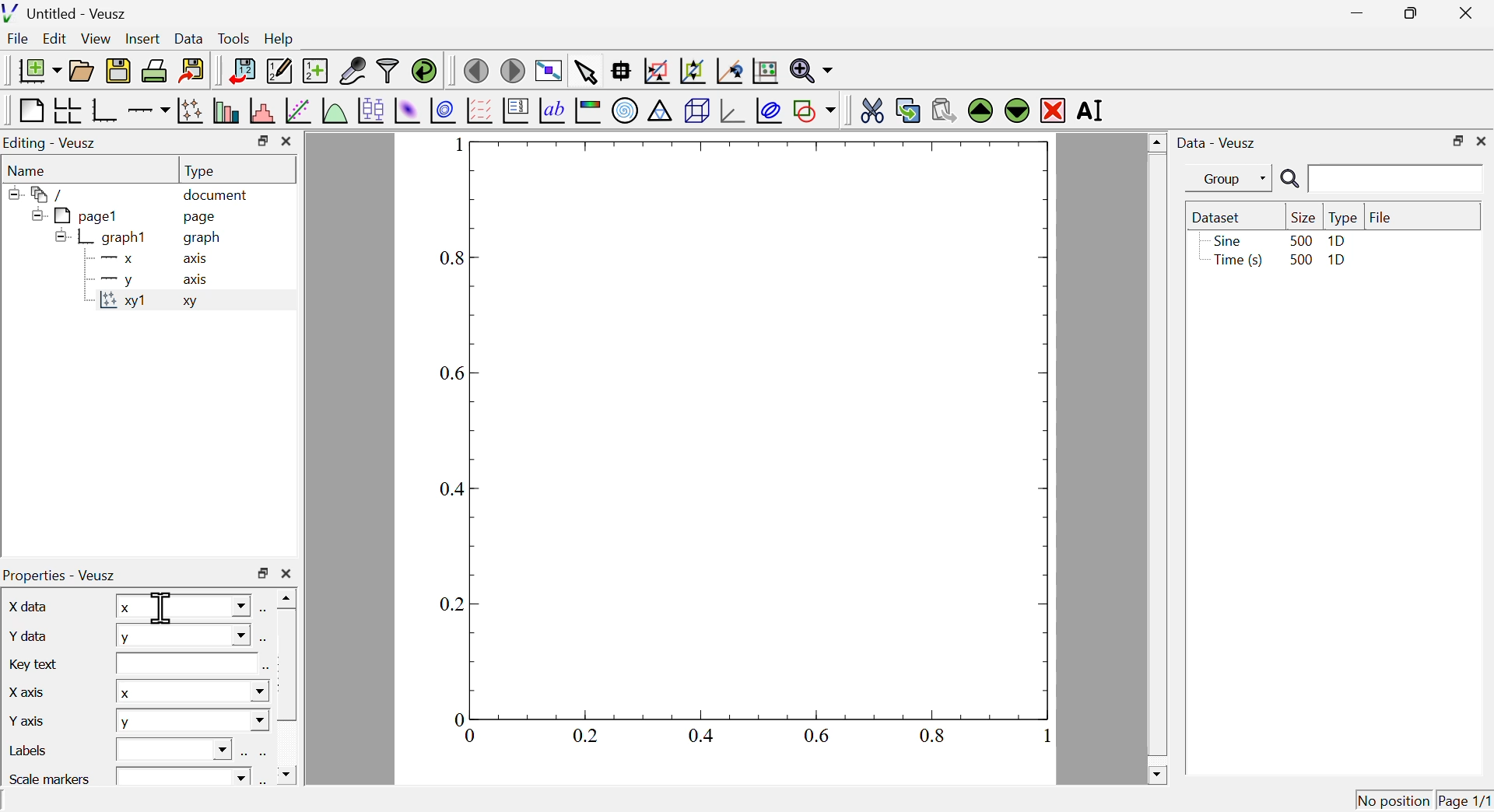 This screenshot has height=812, width=1494. I want to click on scrollbar, so click(1156, 458).